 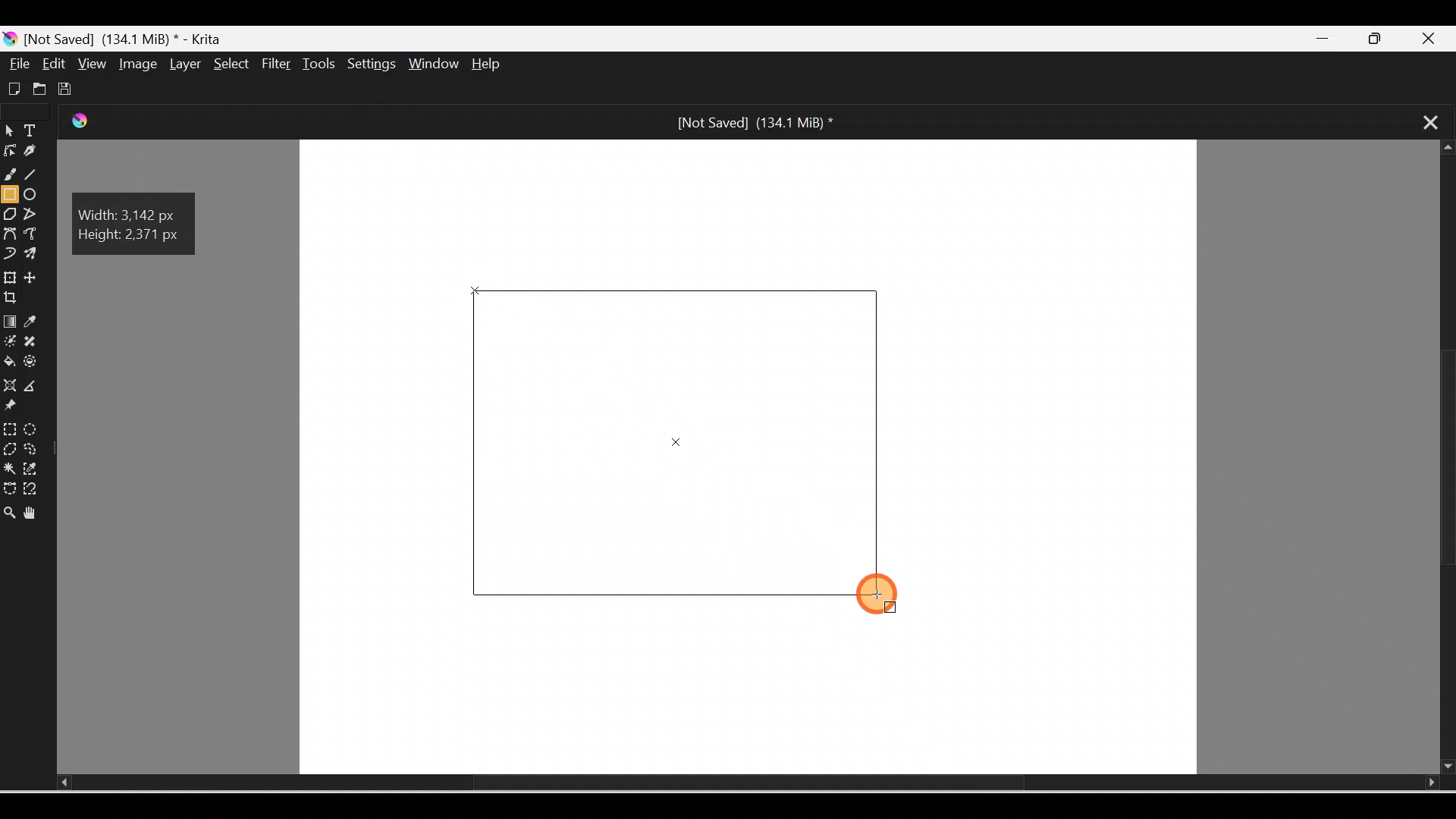 I want to click on Settings, so click(x=373, y=65).